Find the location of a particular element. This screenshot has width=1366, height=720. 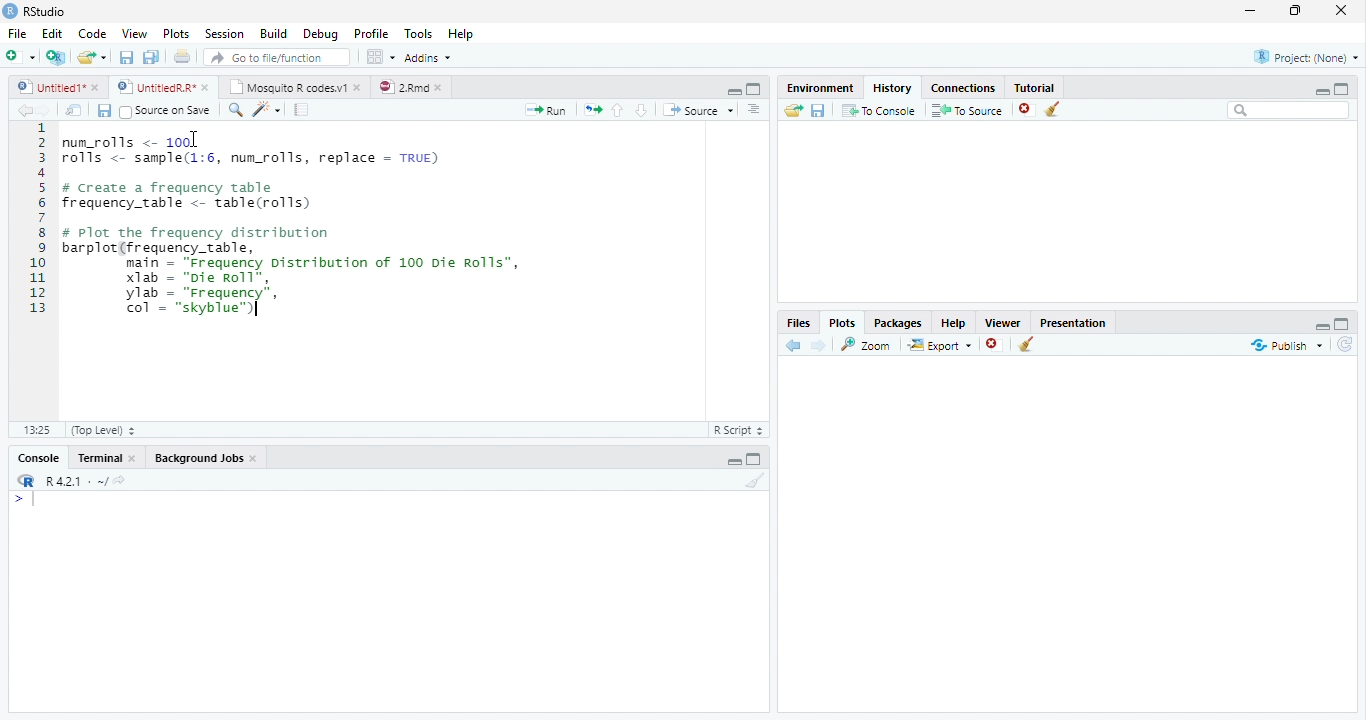

Tutorial is located at coordinates (1034, 86).